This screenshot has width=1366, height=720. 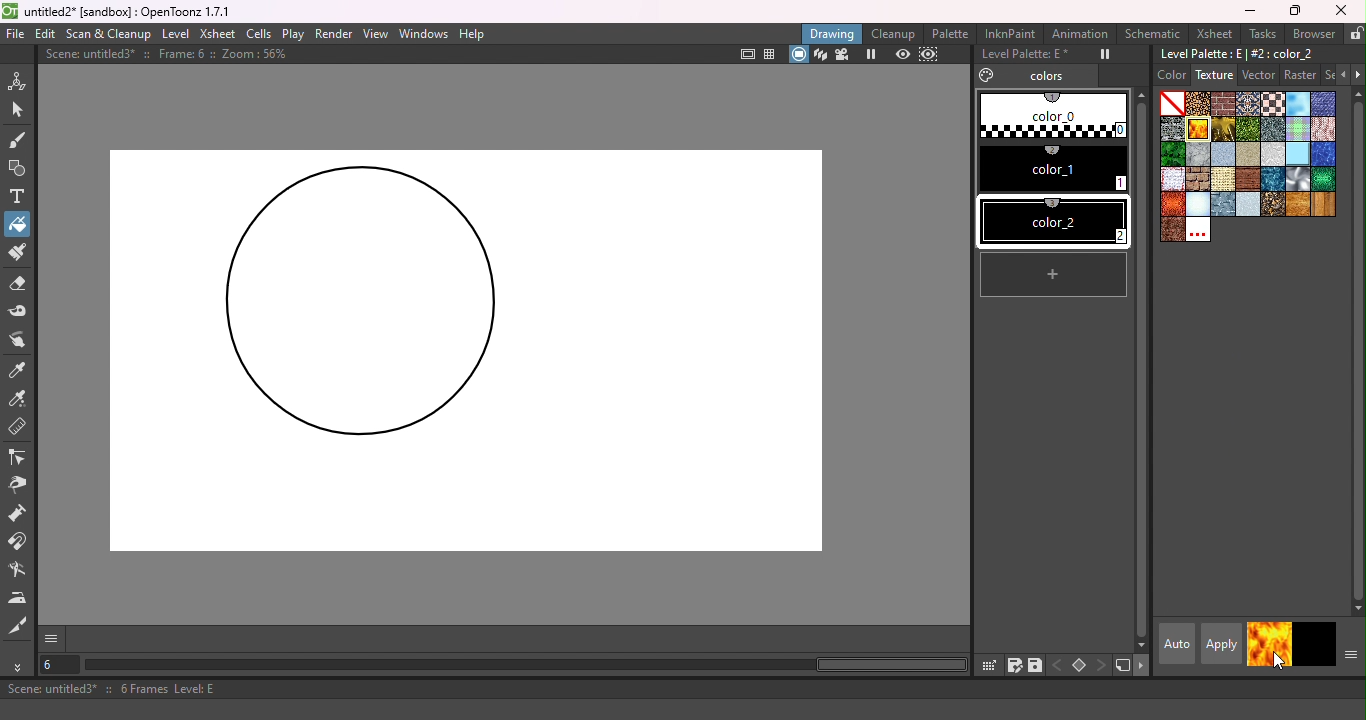 What do you see at coordinates (1151, 34) in the screenshot?
I see `Schematic` at bounding box center [1151, 34].